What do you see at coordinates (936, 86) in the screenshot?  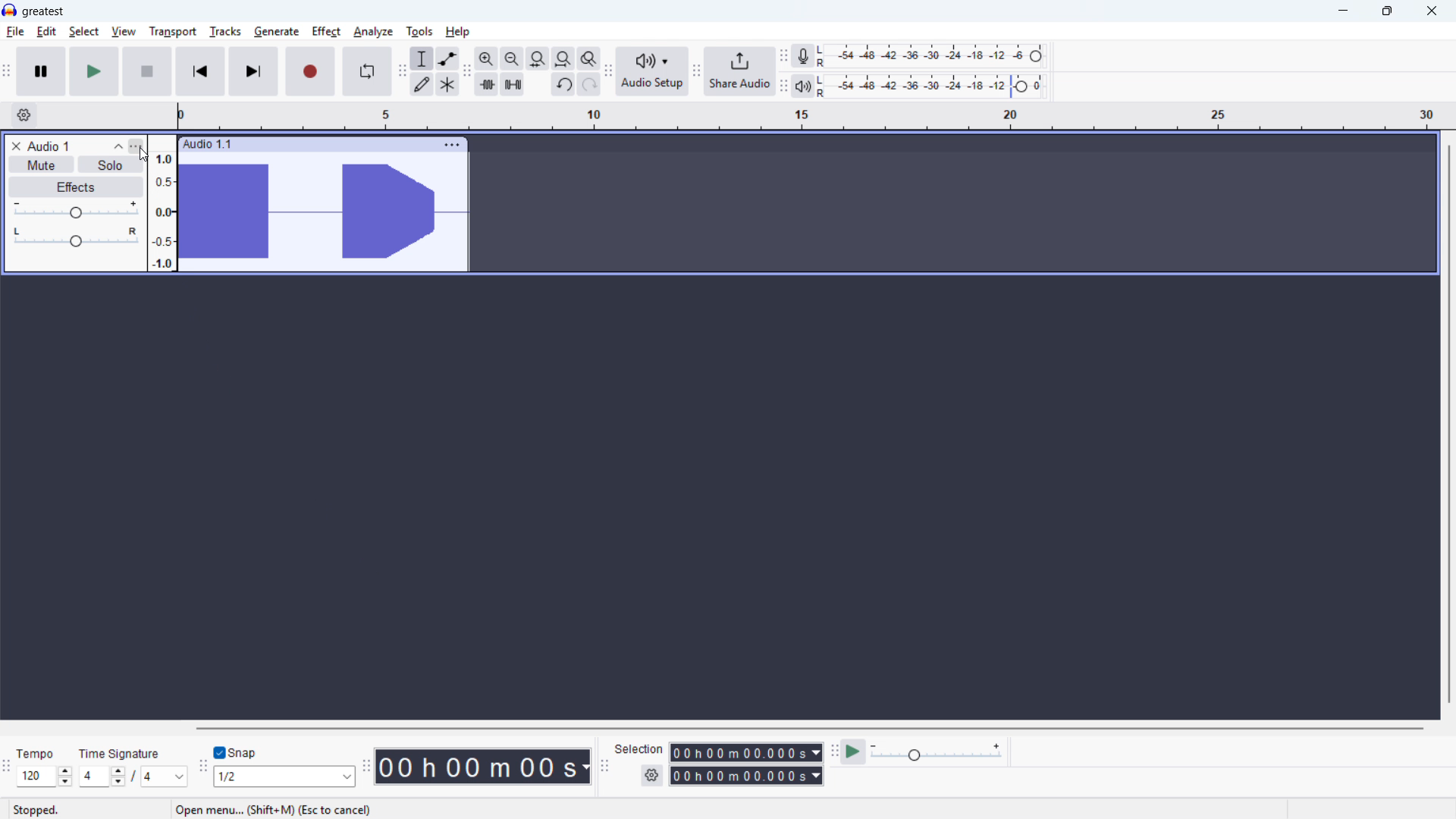 I see `playback level` at bounding box center [936, 86].